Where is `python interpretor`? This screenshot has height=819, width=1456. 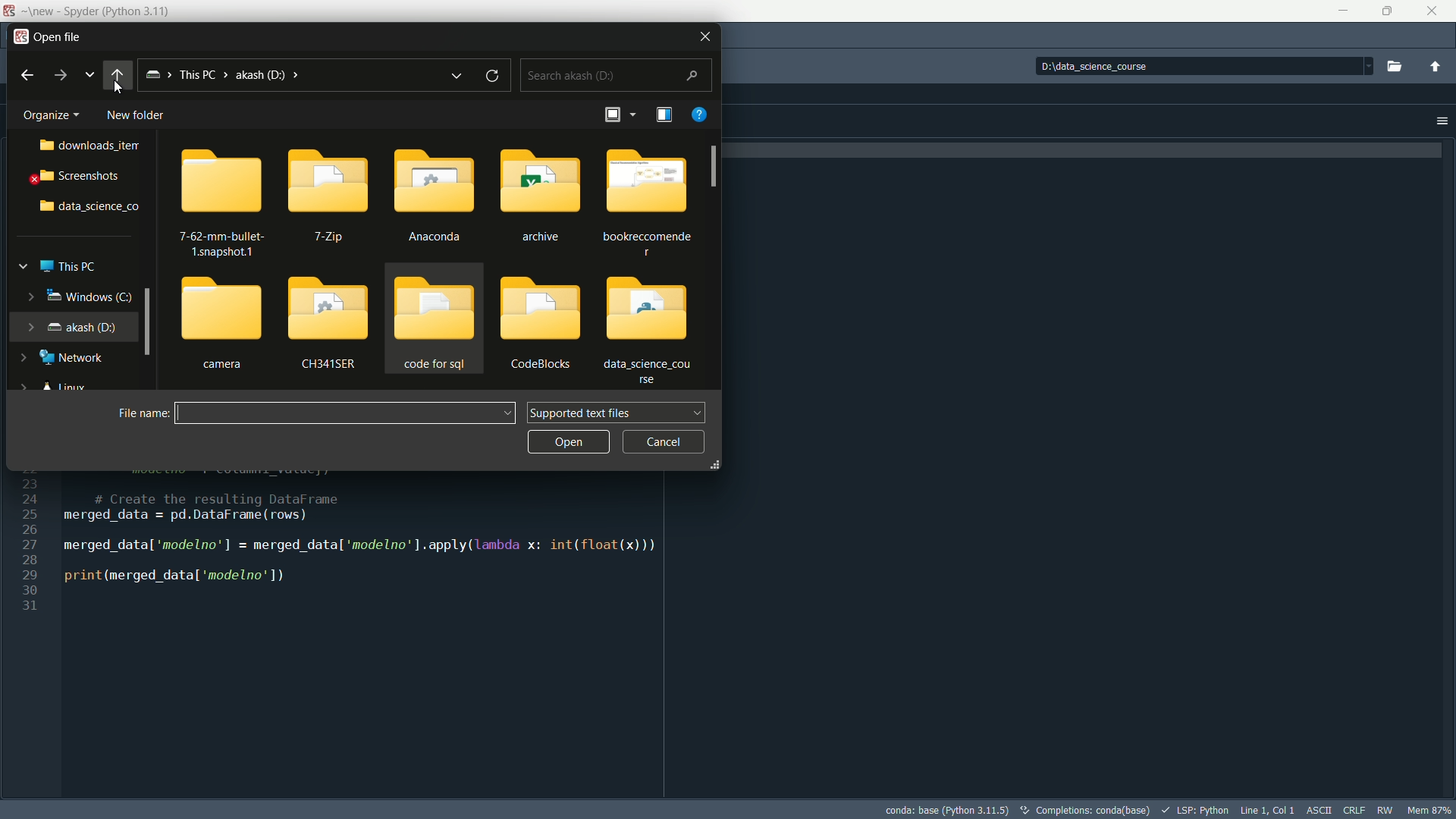
python interpretor is located at coordinates (945, 810).